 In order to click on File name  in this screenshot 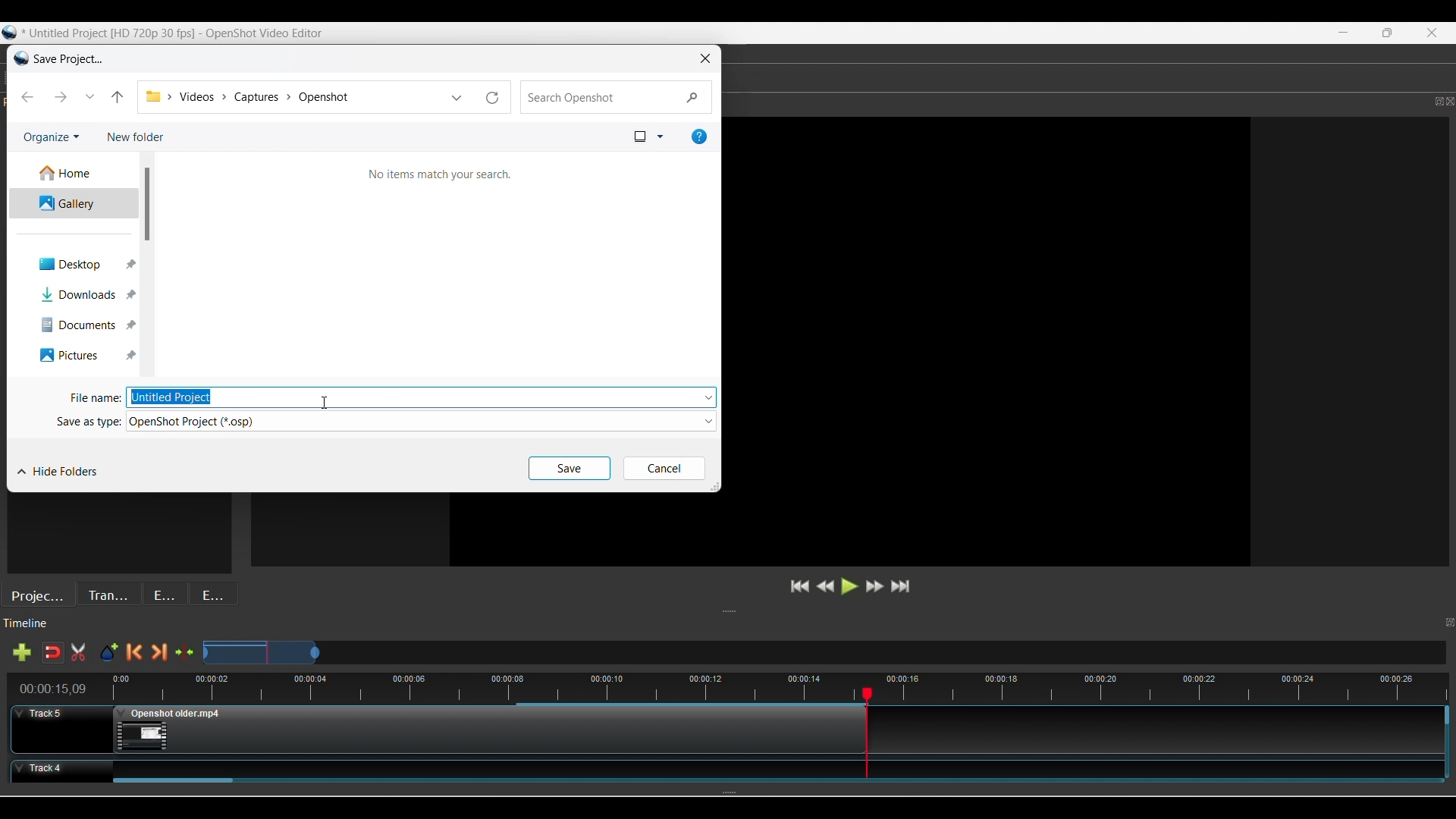, I will do `click(93, 399)`.